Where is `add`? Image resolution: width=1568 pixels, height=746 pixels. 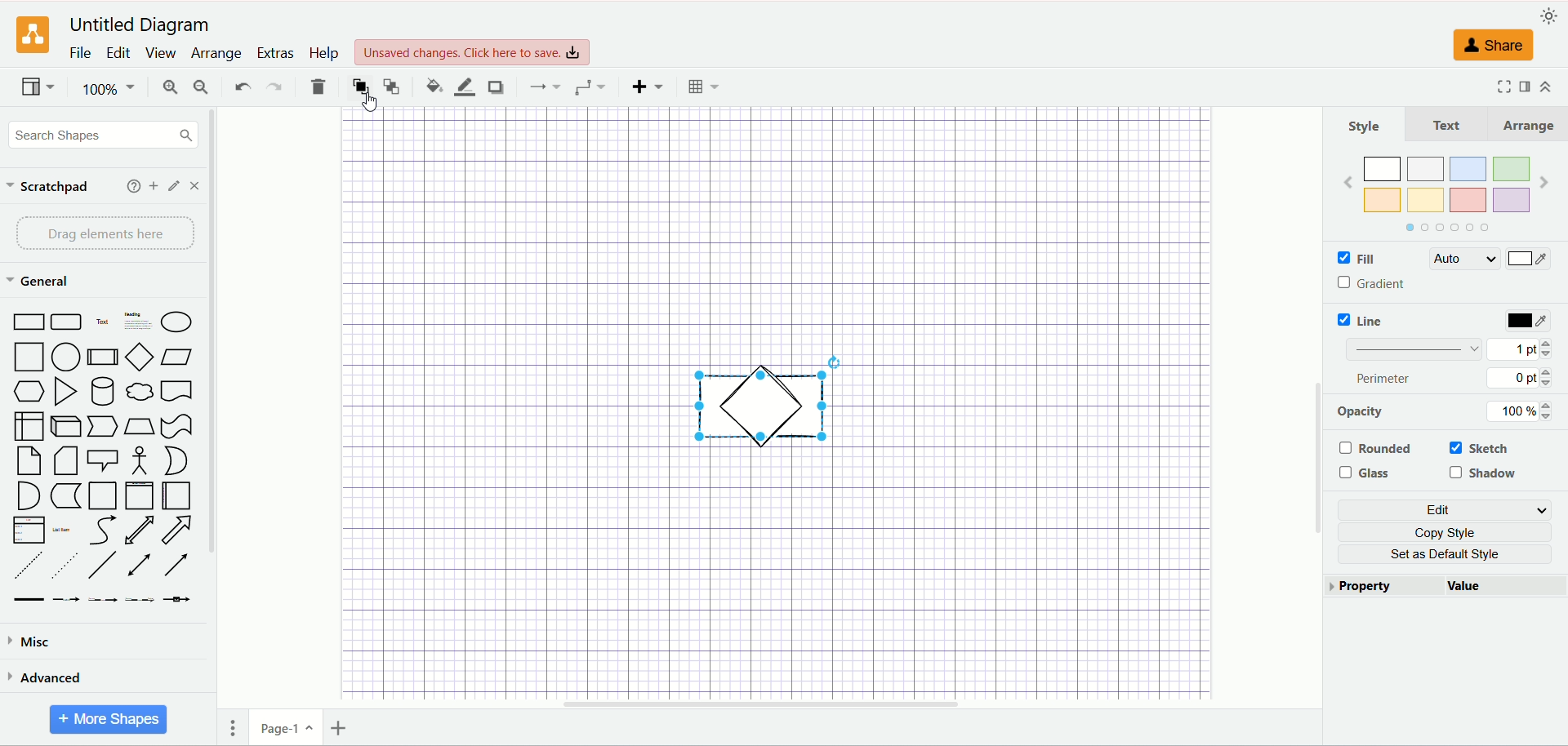 add is located at coordinates (150, 186).